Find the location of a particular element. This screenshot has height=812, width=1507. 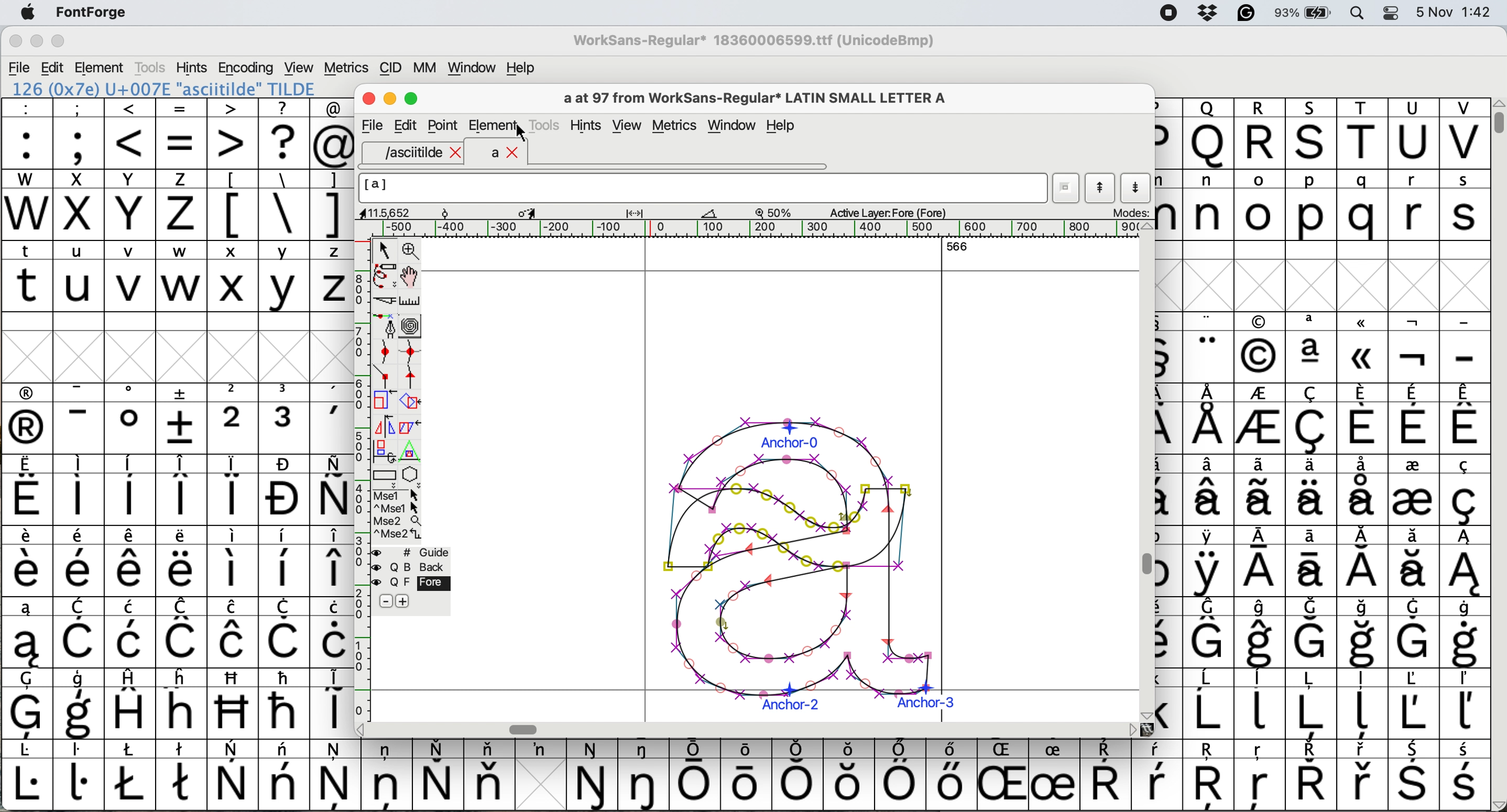

symbol is located at coordinates (133, 632).